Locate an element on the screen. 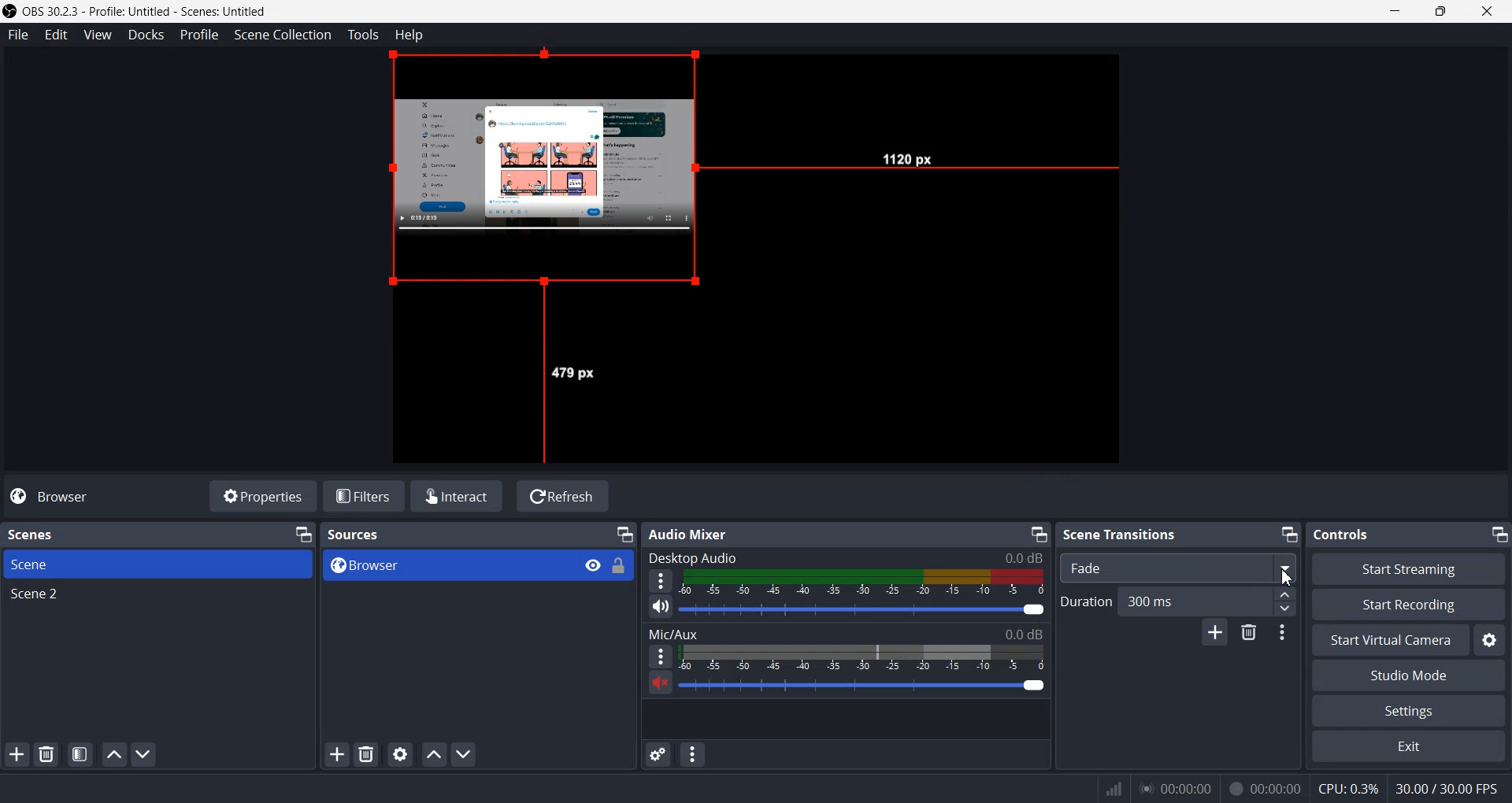 The image size is (1512, 803). Minimize is located at coordinates (625, 533).